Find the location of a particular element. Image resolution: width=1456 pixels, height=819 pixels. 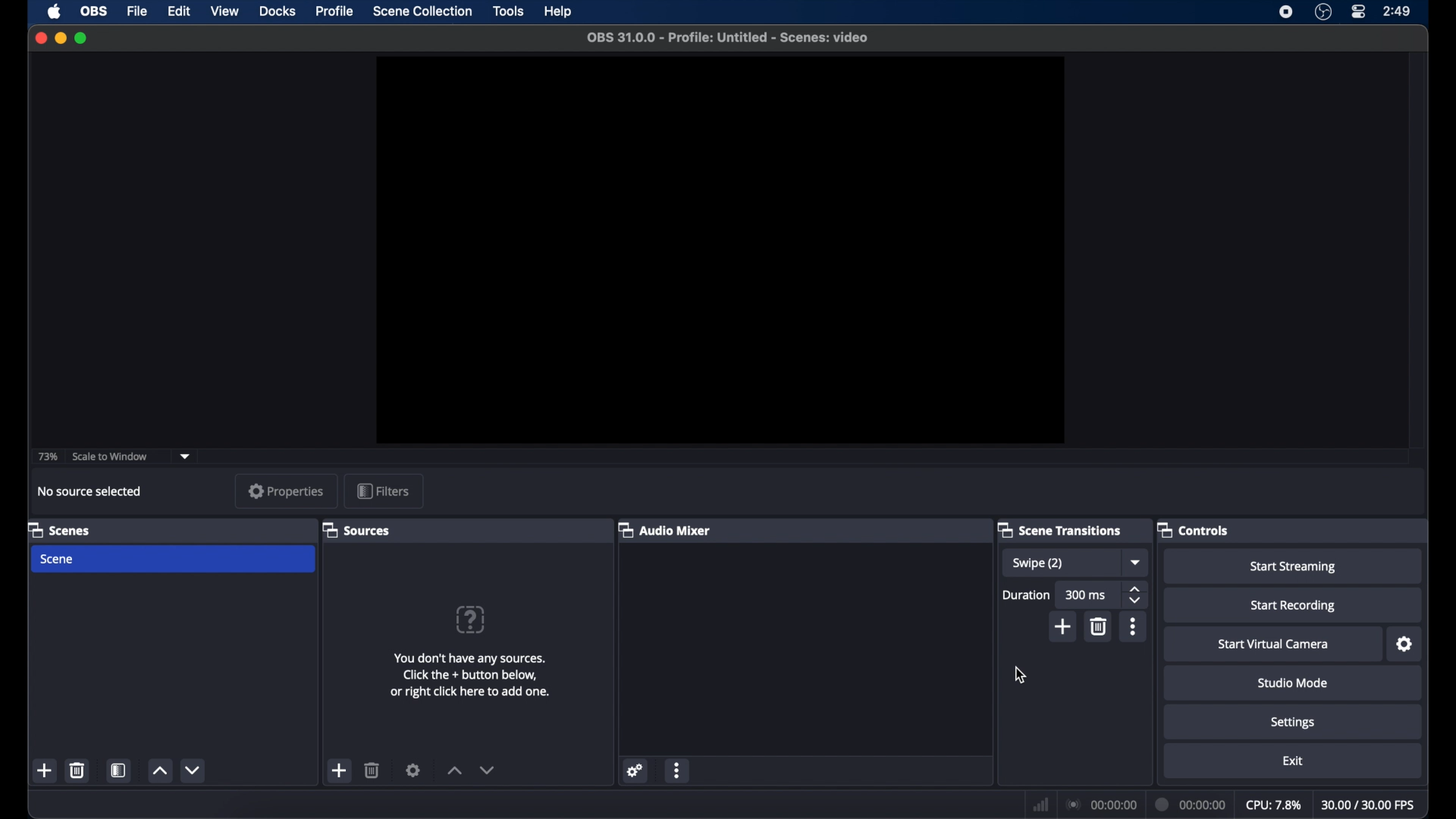

increment is located at coordinates (159, 771).